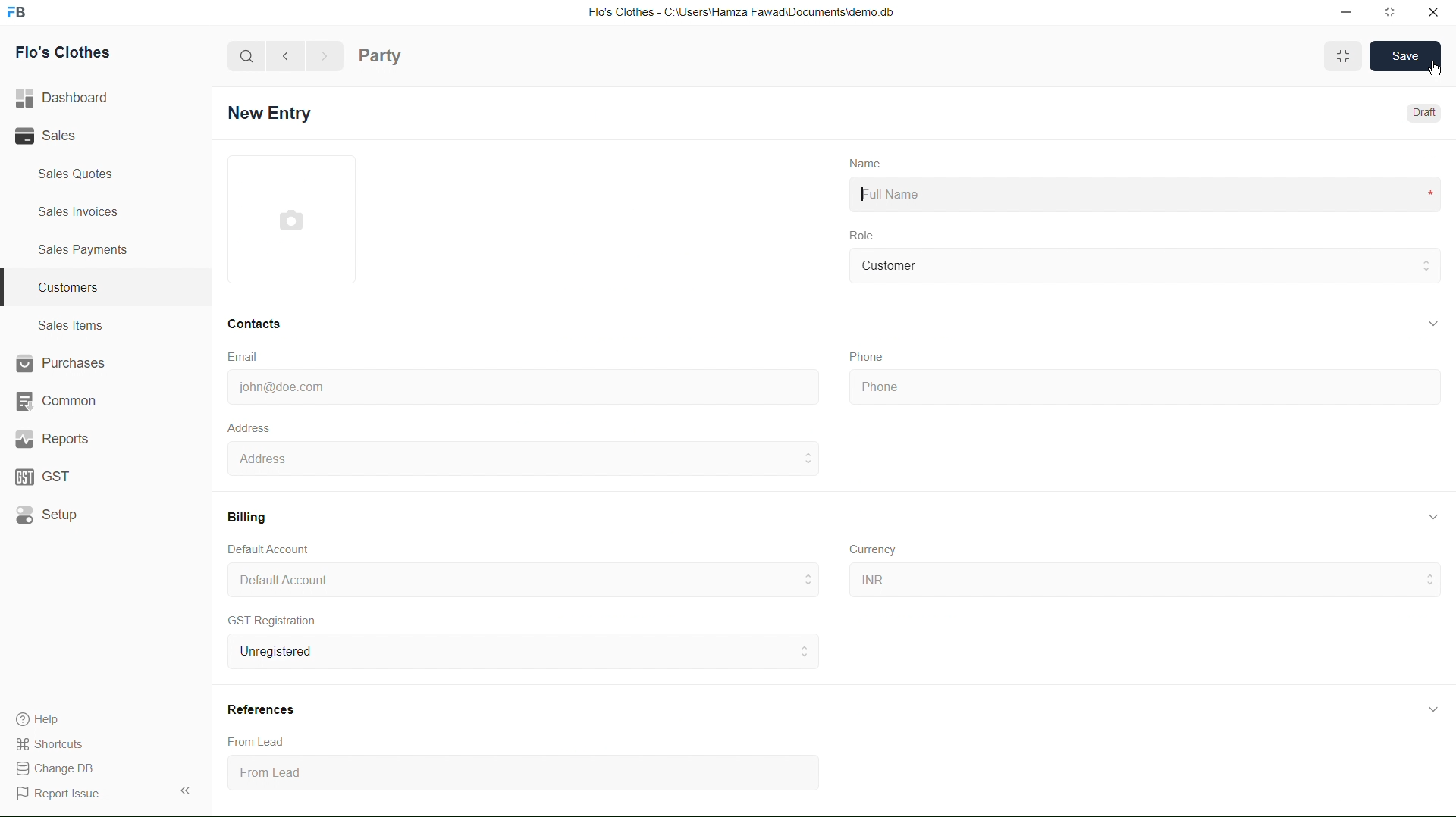 The height and width of the screenshot is (817, 1456). Describe the element at coordinates (522, 580) in the screenshot. I see `Default Account ` at that location.